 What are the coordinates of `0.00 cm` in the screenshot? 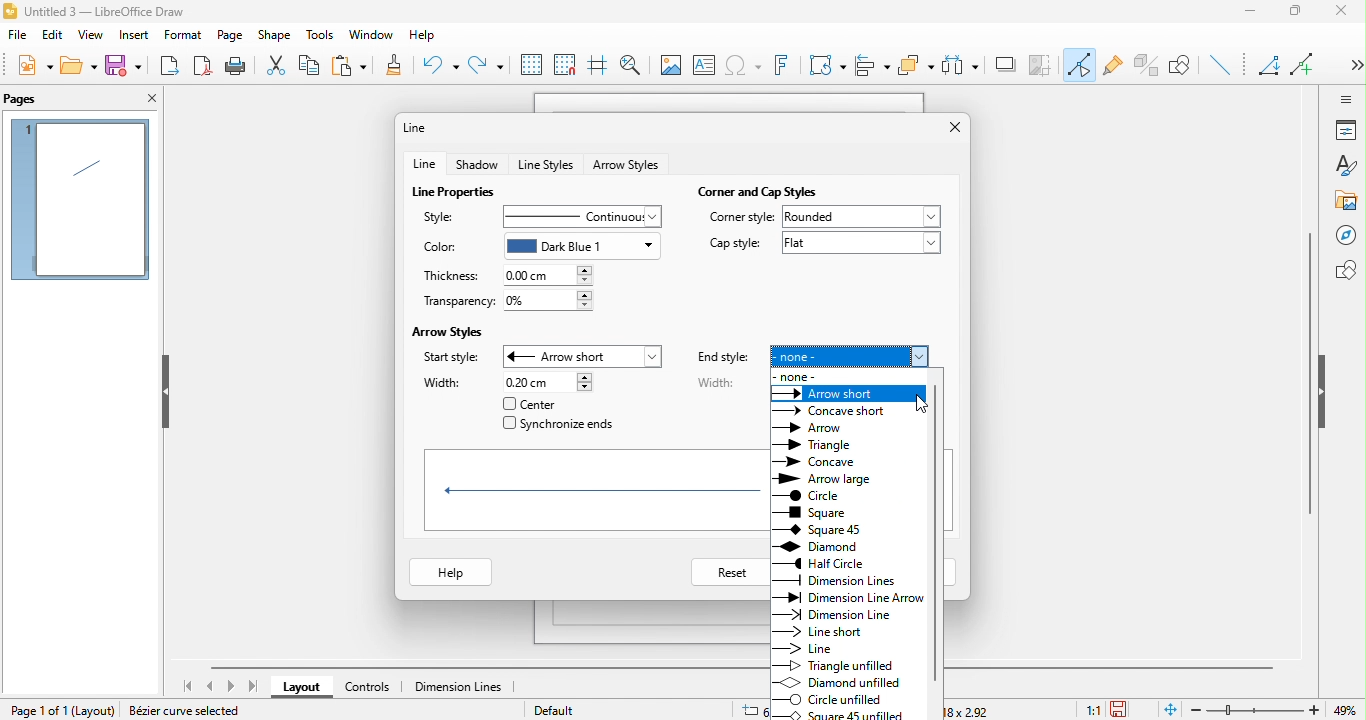 It's located at (550, 275).